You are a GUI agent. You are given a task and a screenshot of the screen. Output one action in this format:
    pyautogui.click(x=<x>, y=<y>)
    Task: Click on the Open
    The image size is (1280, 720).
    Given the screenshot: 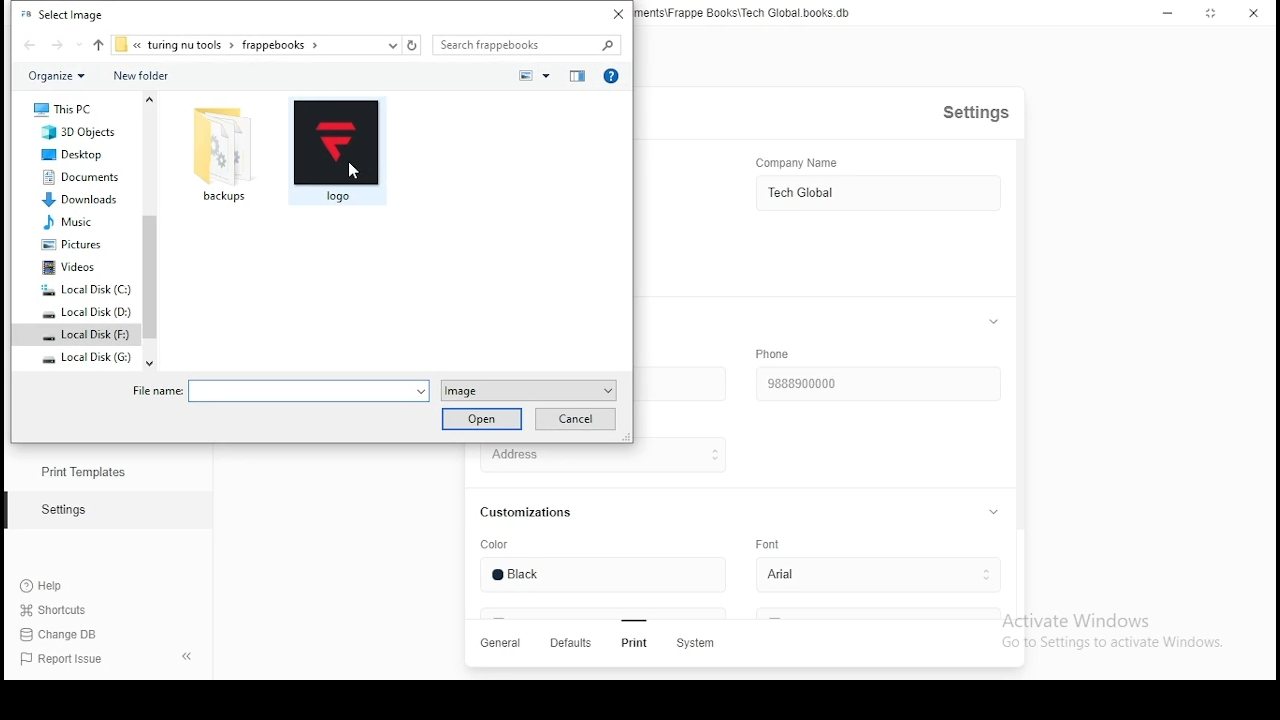 What is the action you would take?
    pyautogui.click(x=480, y=419)
    